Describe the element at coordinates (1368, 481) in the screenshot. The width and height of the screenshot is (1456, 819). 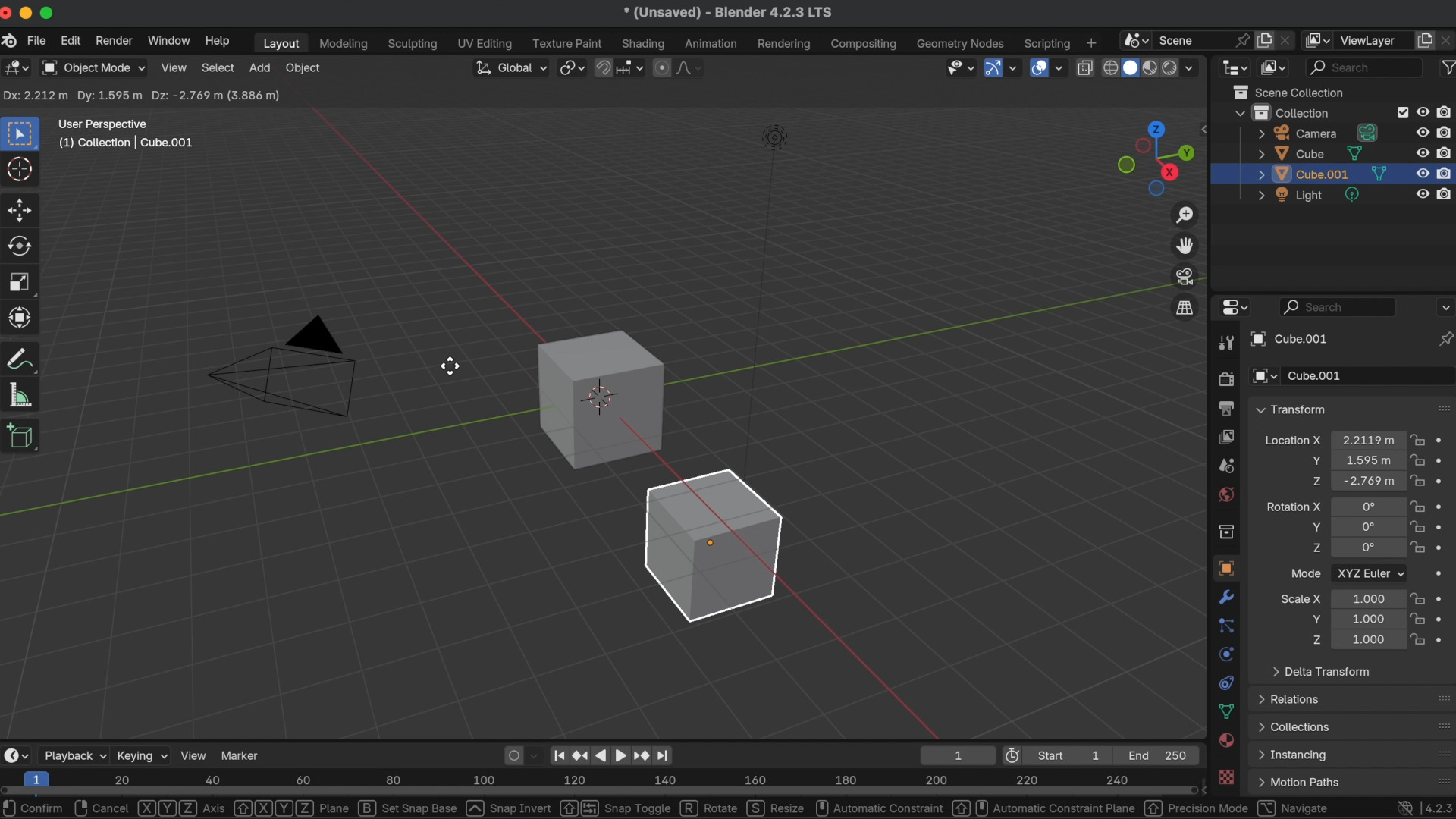
I see `location of object` at that location.